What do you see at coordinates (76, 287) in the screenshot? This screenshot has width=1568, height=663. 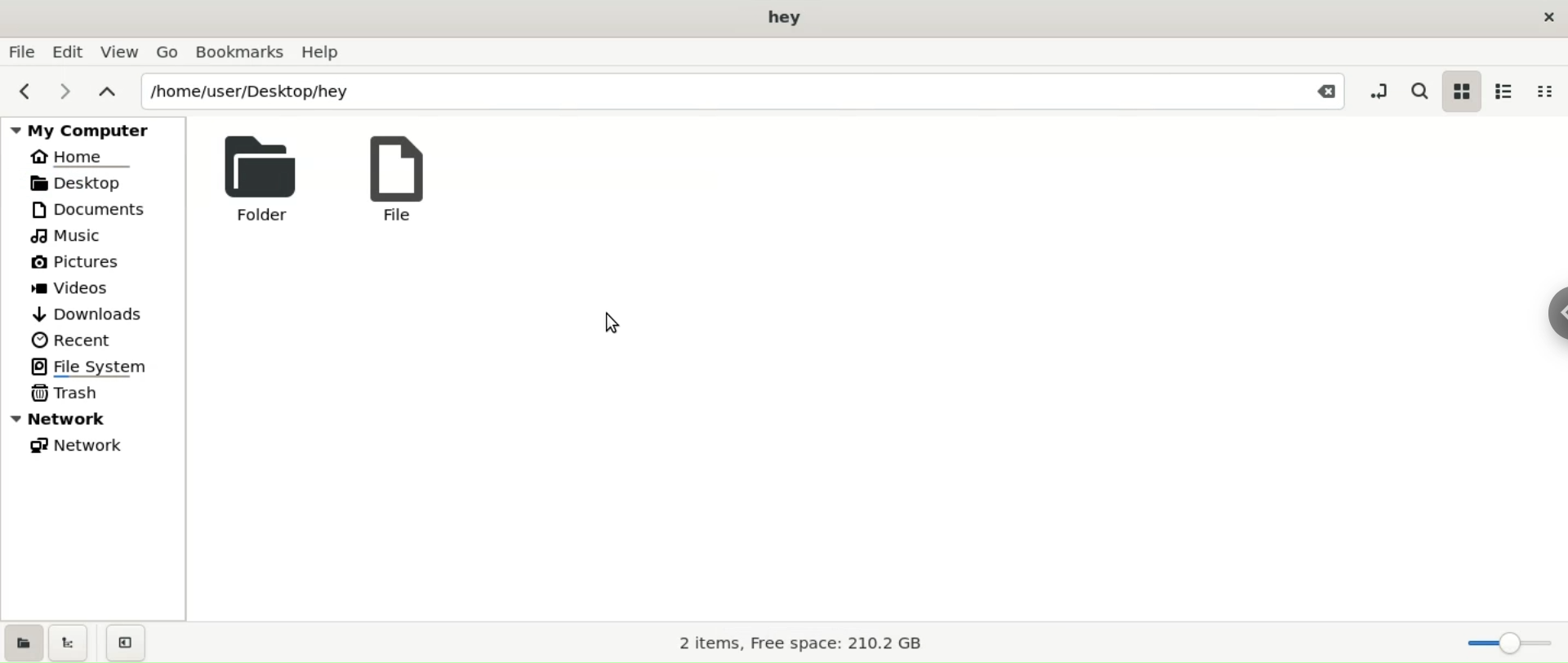 I see `videos` at bounding box center [76, 287].